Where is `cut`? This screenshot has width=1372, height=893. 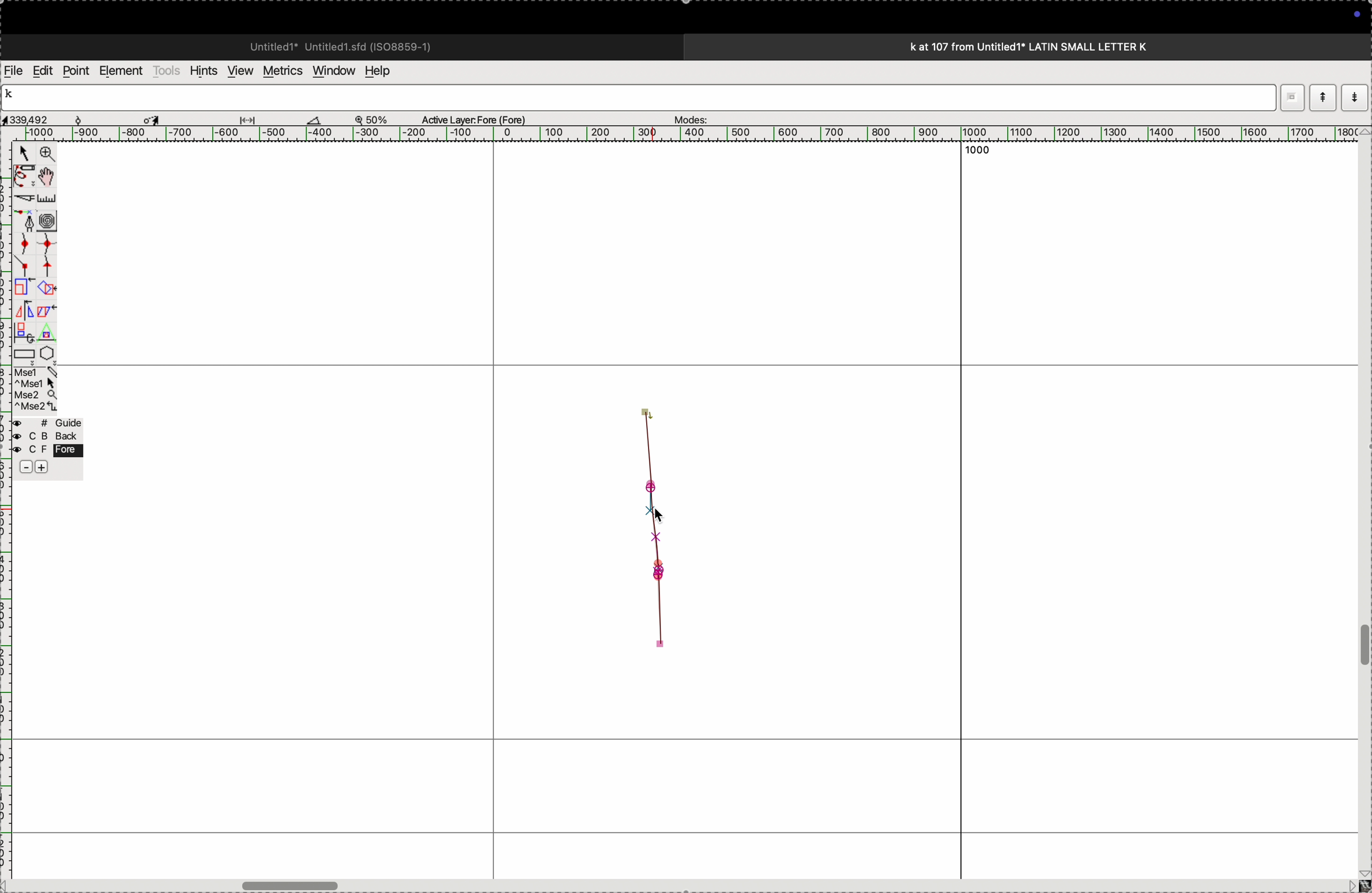
cut is located at coordinates (22, 198).